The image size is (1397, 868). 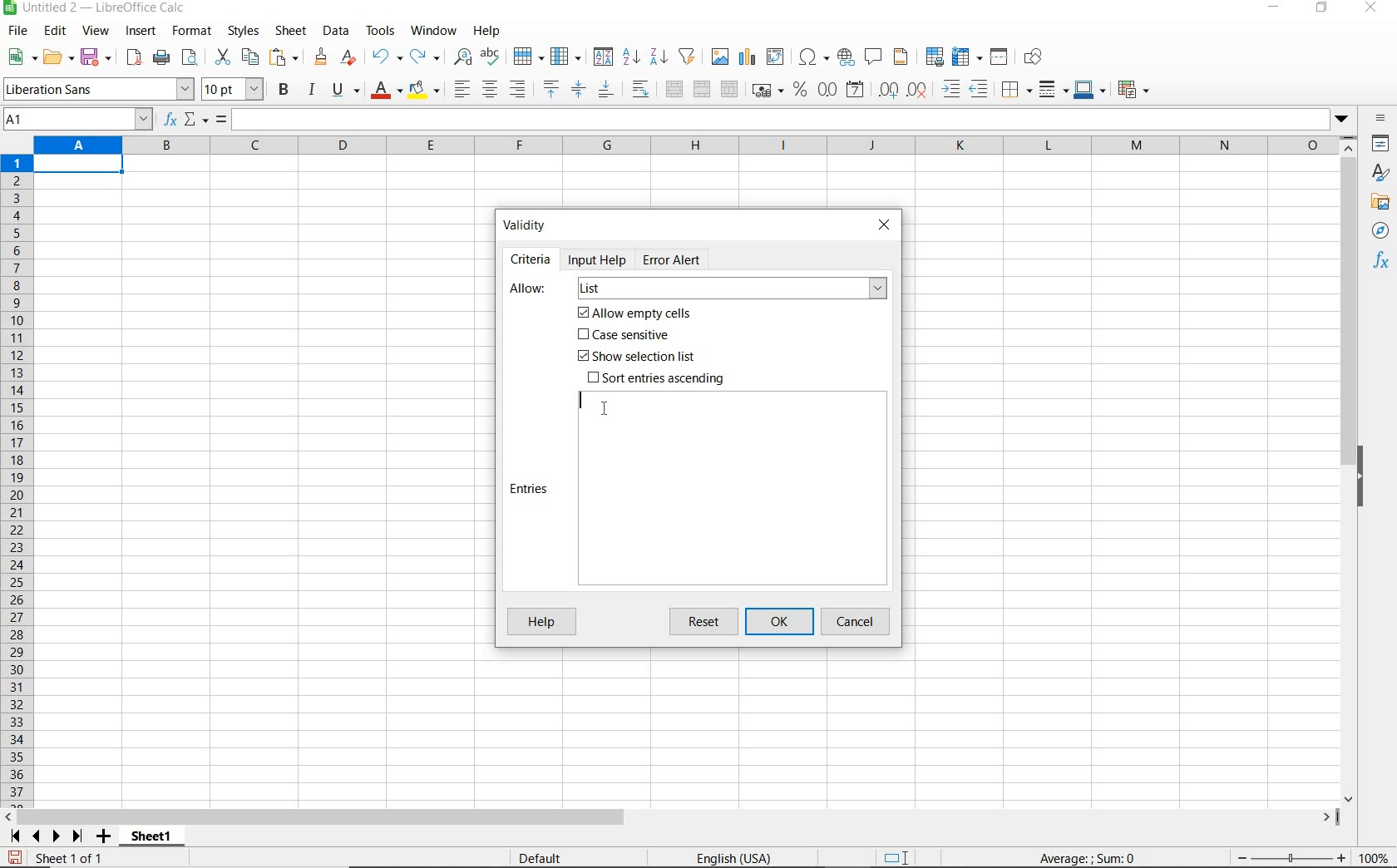 I want to click on center vertically, so click(x=578, y=90).